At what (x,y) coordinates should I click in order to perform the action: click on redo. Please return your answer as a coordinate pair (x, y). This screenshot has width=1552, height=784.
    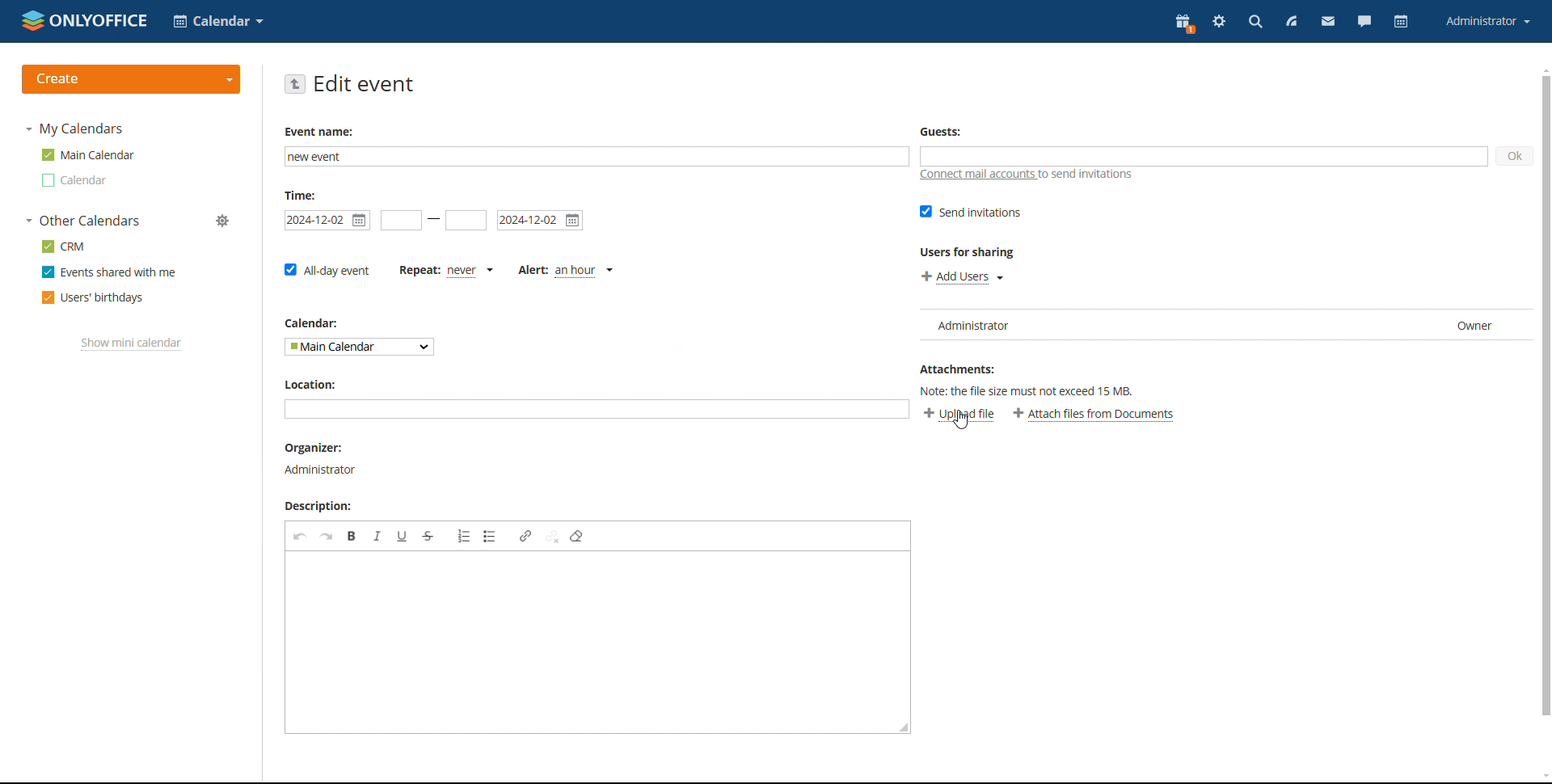
    Looking at the image, I should click on (327, 536).